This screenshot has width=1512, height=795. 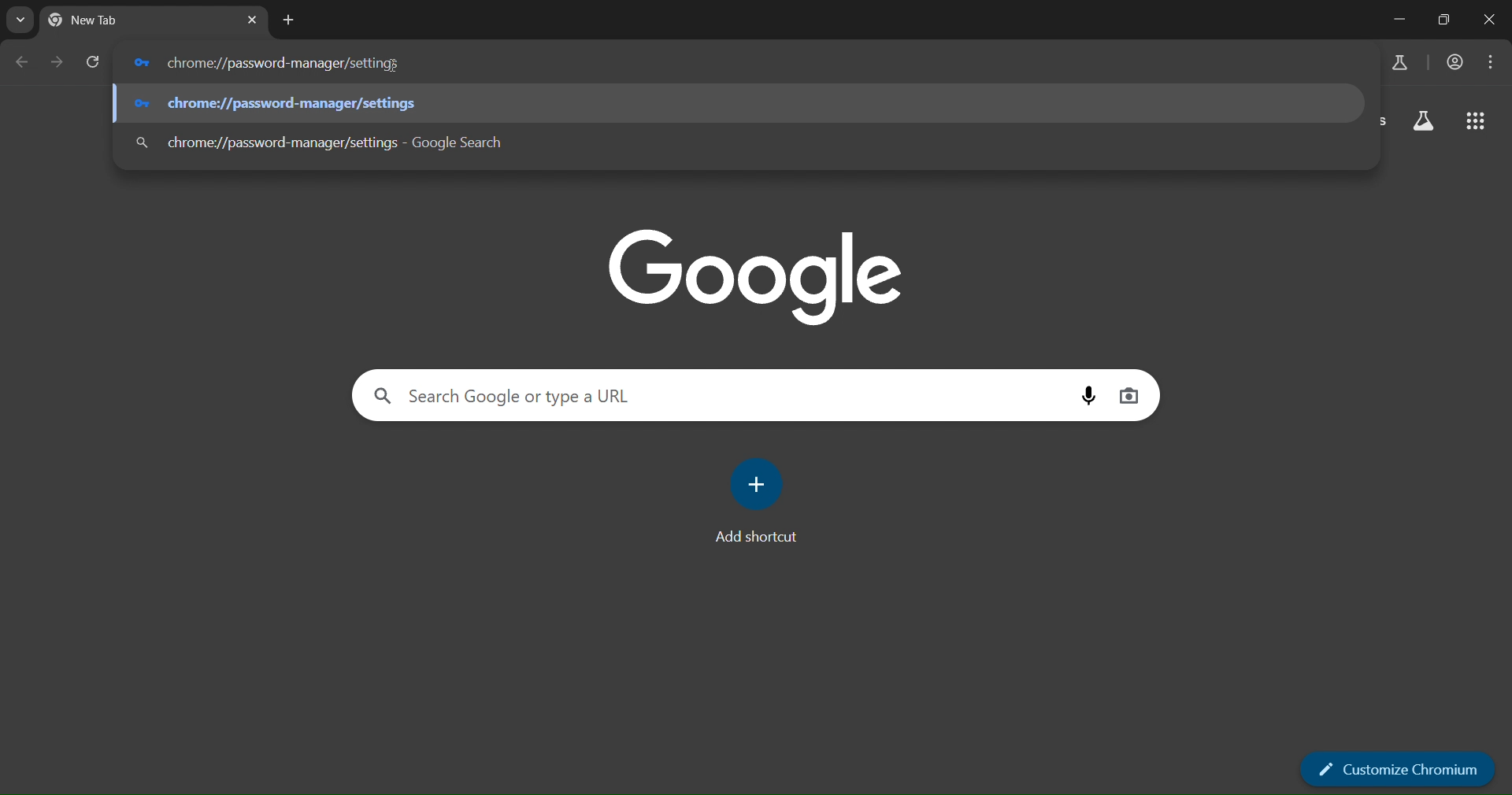 I want to click on close, so click(x=1491, y=21).